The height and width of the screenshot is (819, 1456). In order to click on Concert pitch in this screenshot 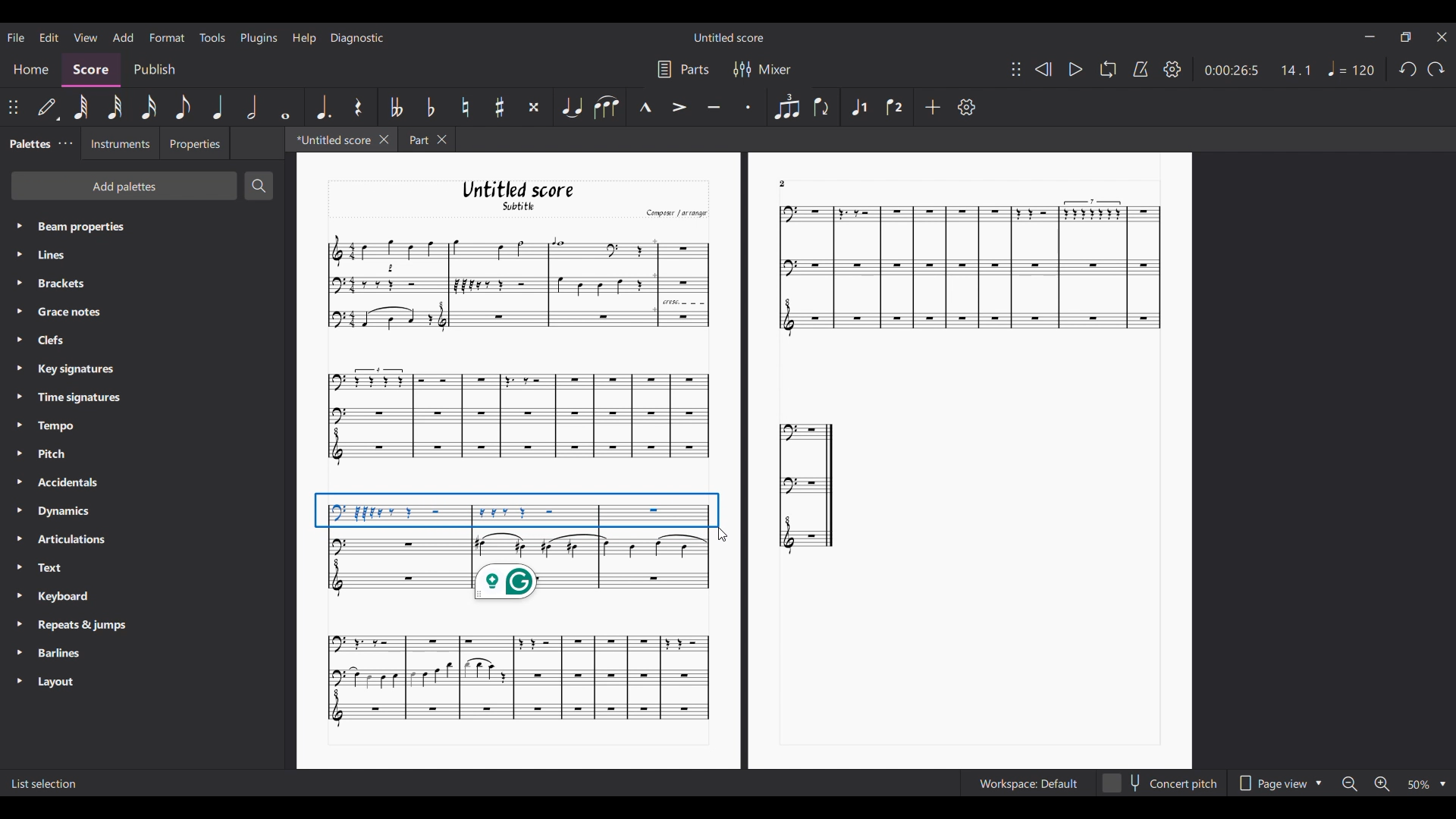, I will do `click(1159, 783)`.